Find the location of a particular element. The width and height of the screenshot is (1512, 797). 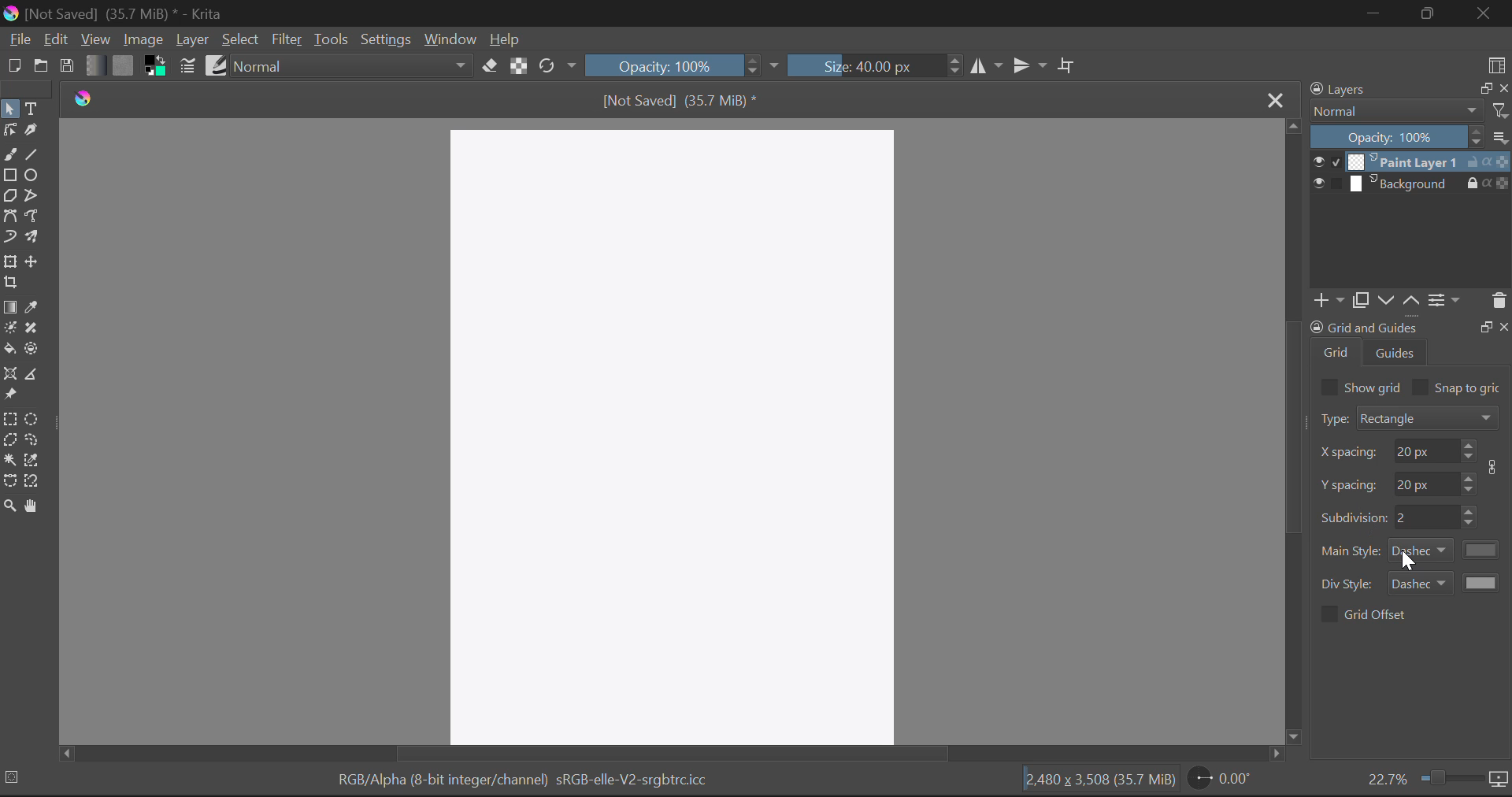

Enclose and fill is located at coordinates (34, 350).